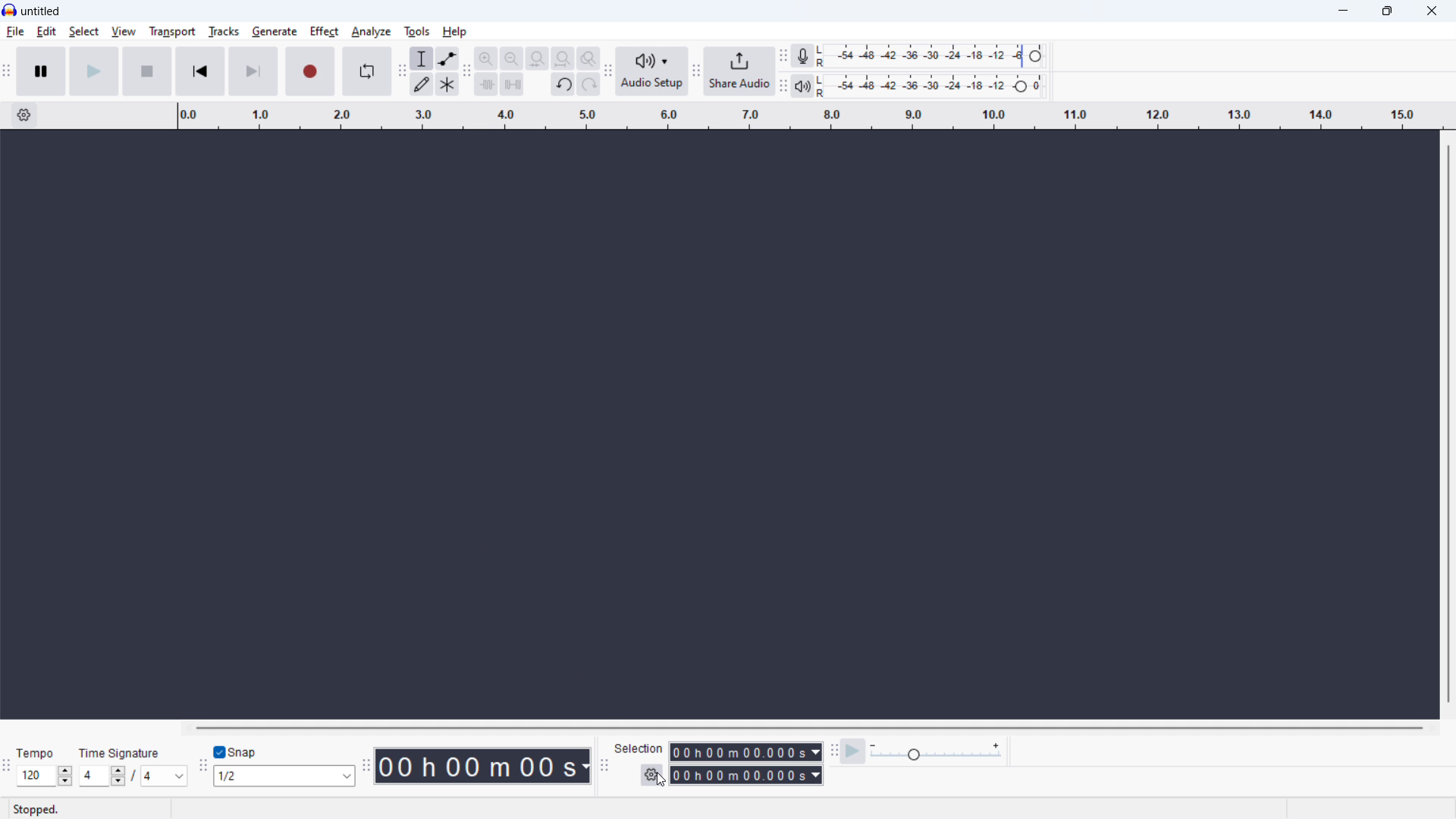 The height and width of the screenshot is (819, 1456). What do you see at coordinates (487, 84) in the screenshot?
I see `trim audio outside selection` at bounding box center [487, 84].